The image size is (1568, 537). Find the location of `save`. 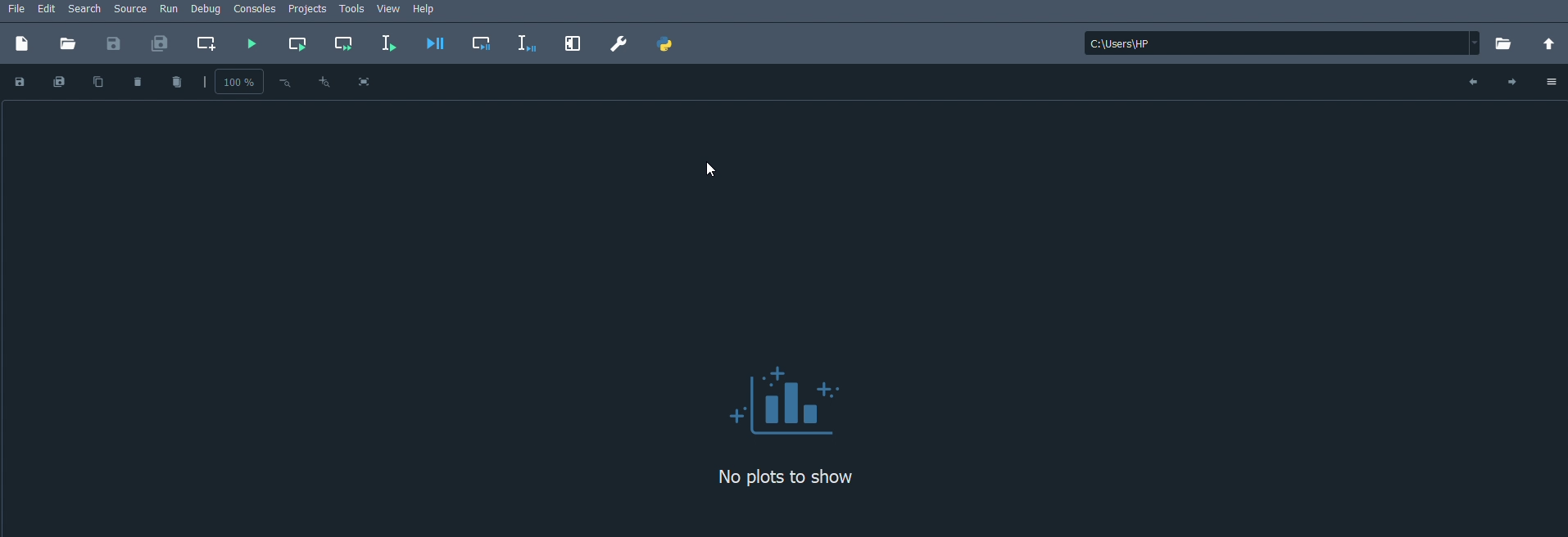

save is located at coordinates (20, 82).